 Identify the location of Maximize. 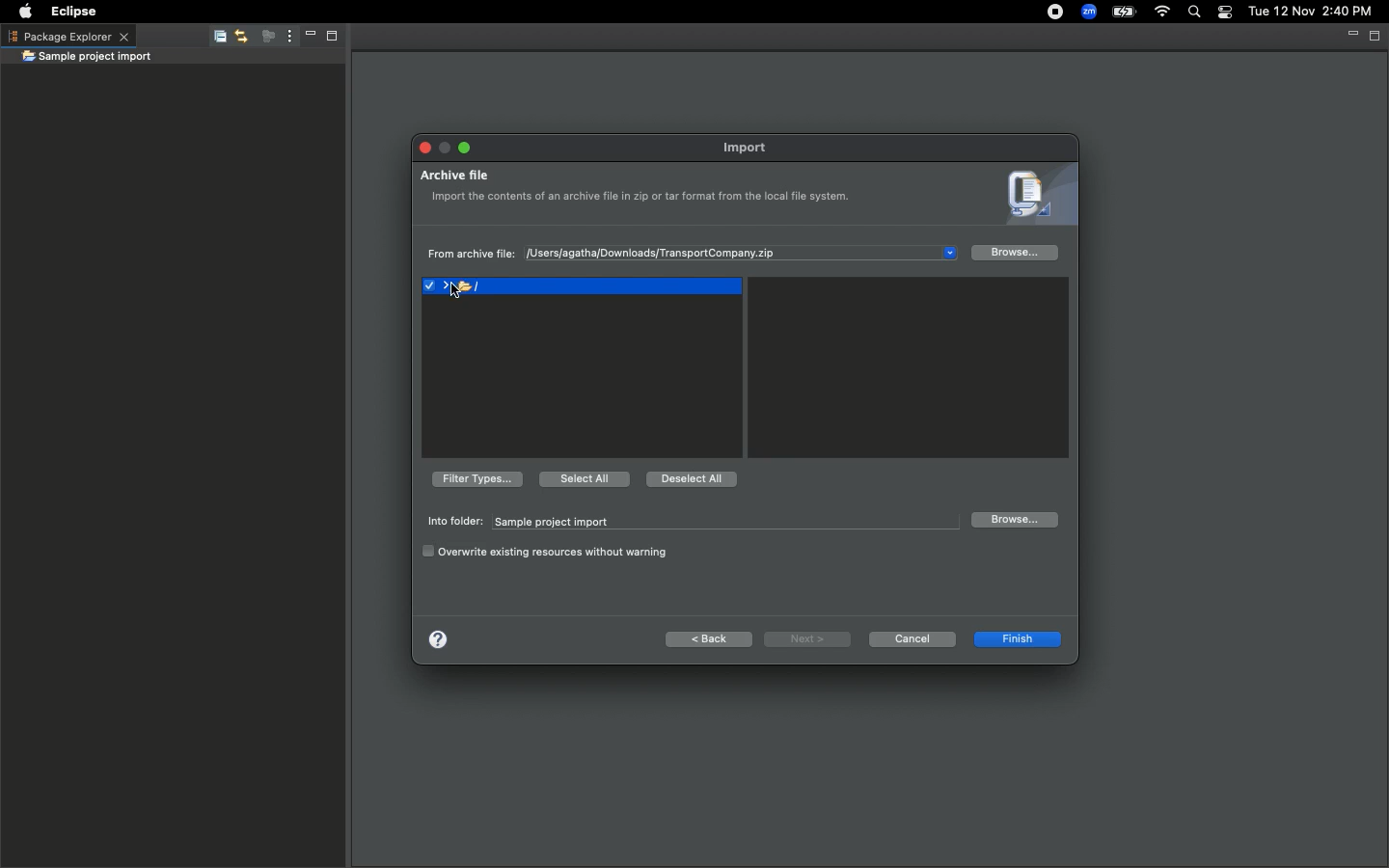
(330, 39).